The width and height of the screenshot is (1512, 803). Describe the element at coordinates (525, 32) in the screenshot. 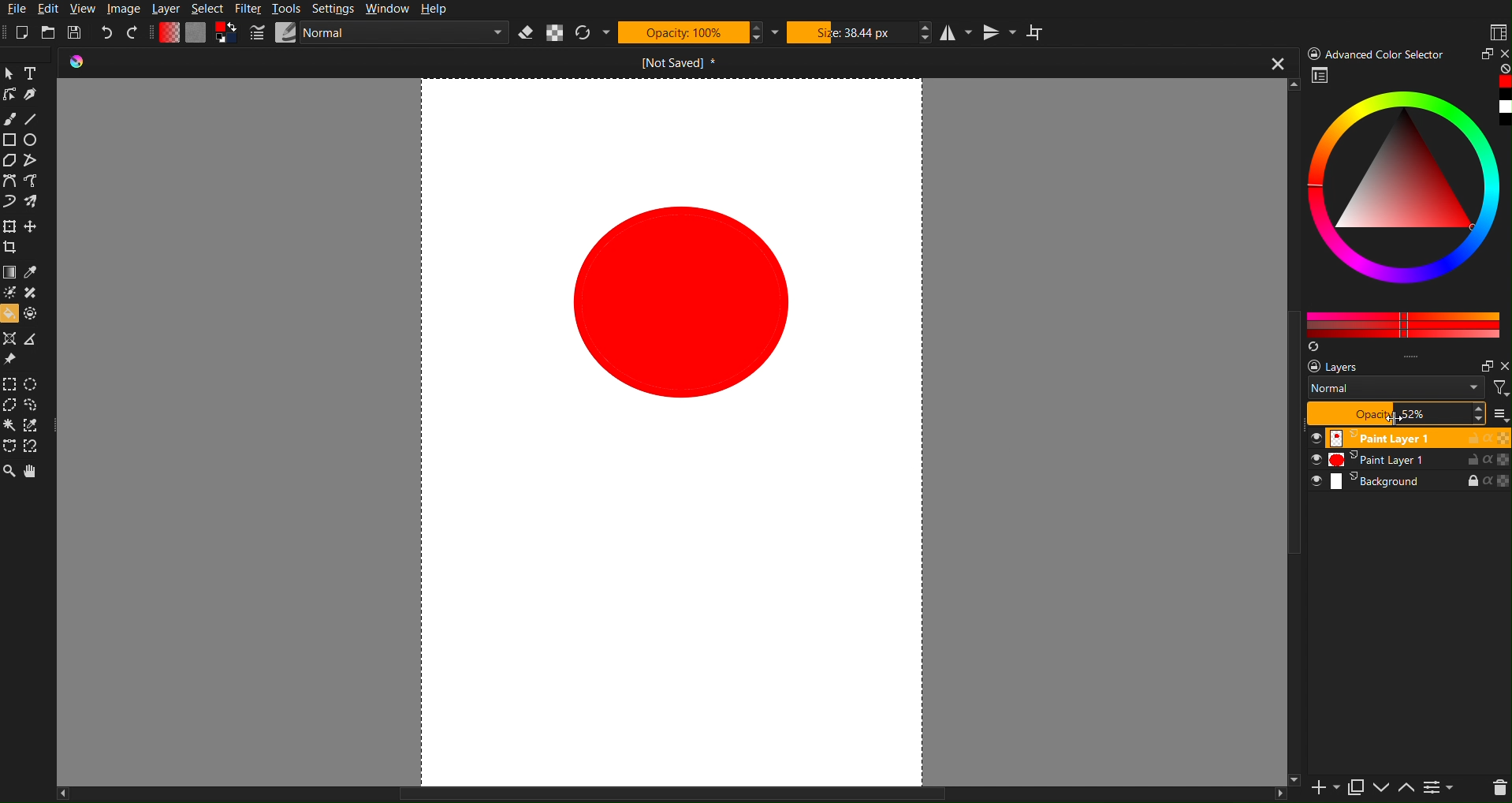

I see `Erase` at that location.